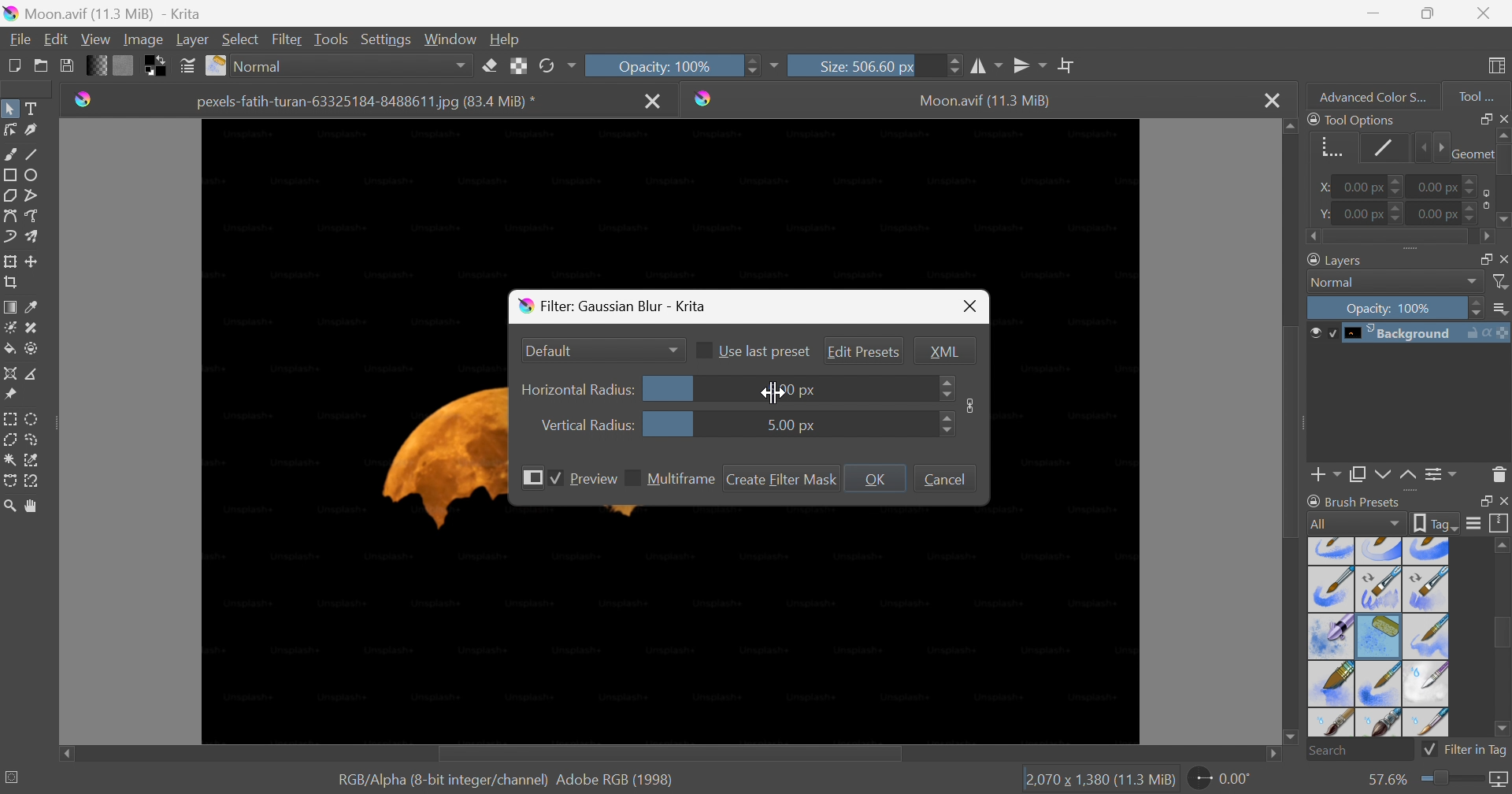 The image size is (1512, 794). What do you see at coordinates (65, 751) in the screenshot?
I see `Scroll left` at bounding box center [65, 751].